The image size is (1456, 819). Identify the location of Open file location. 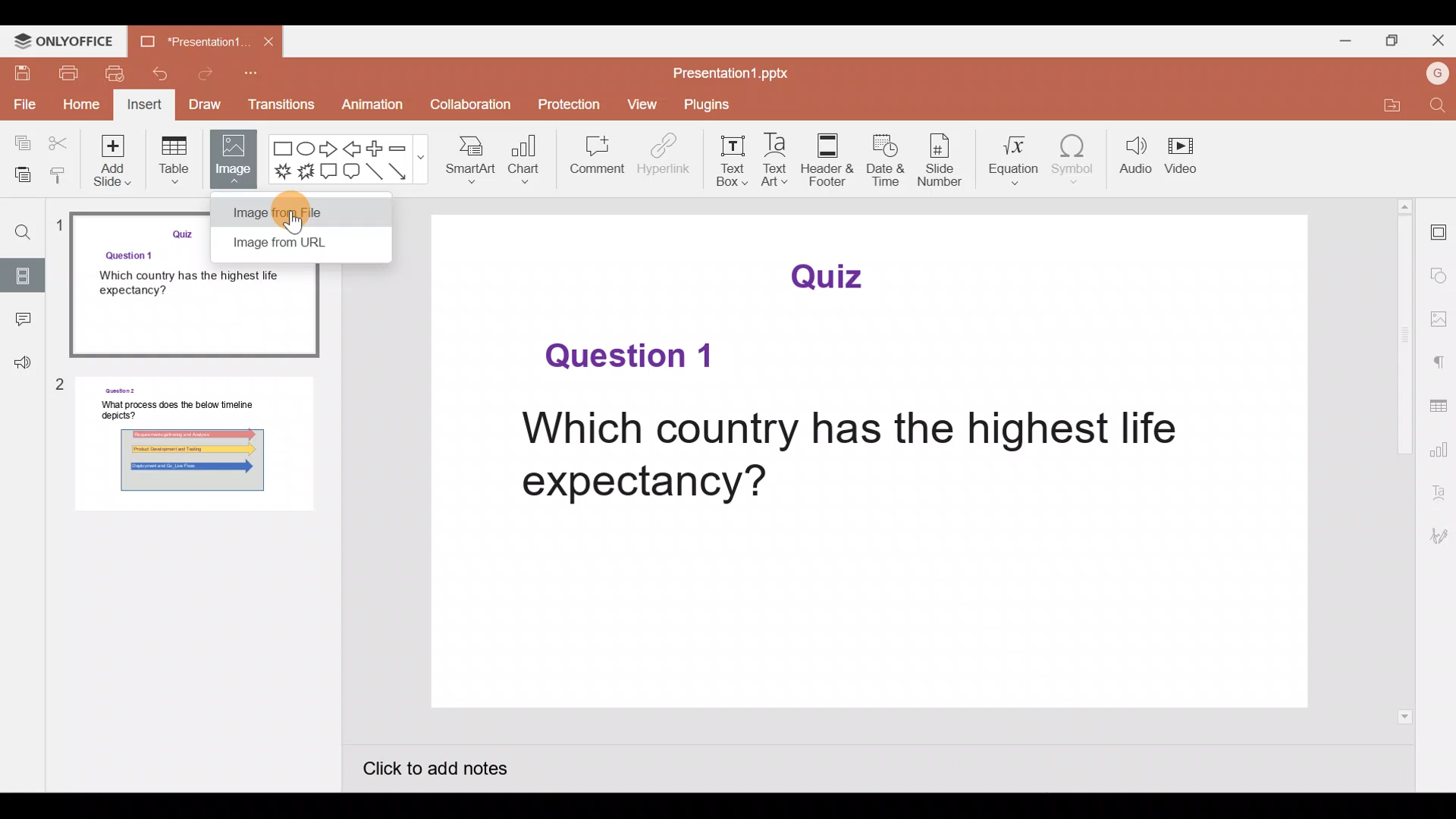
(1389, 108).